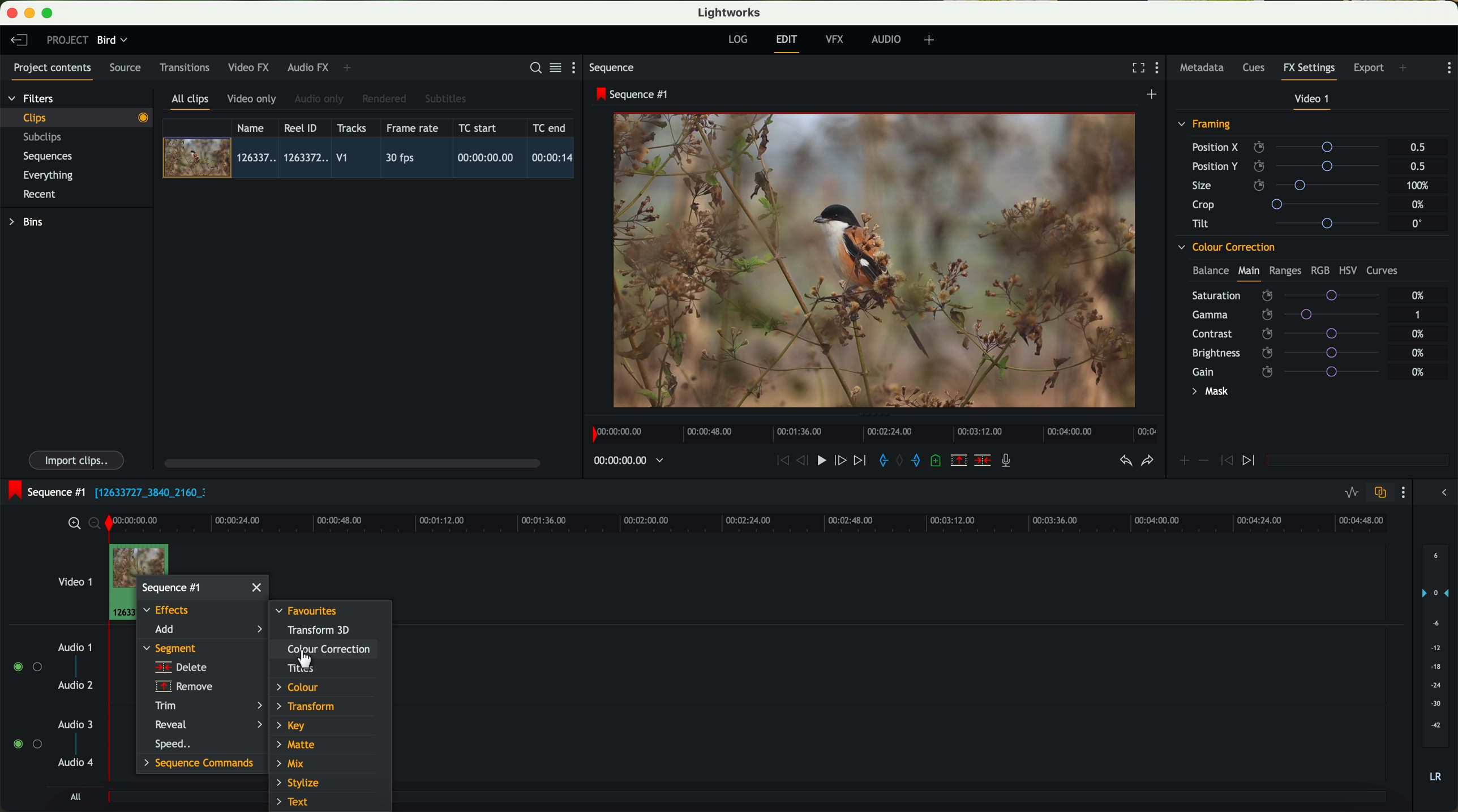  What do you see at coordinates (1290, 147) in the screenshot?
I see `position X` at bounding box center [1290, 147].